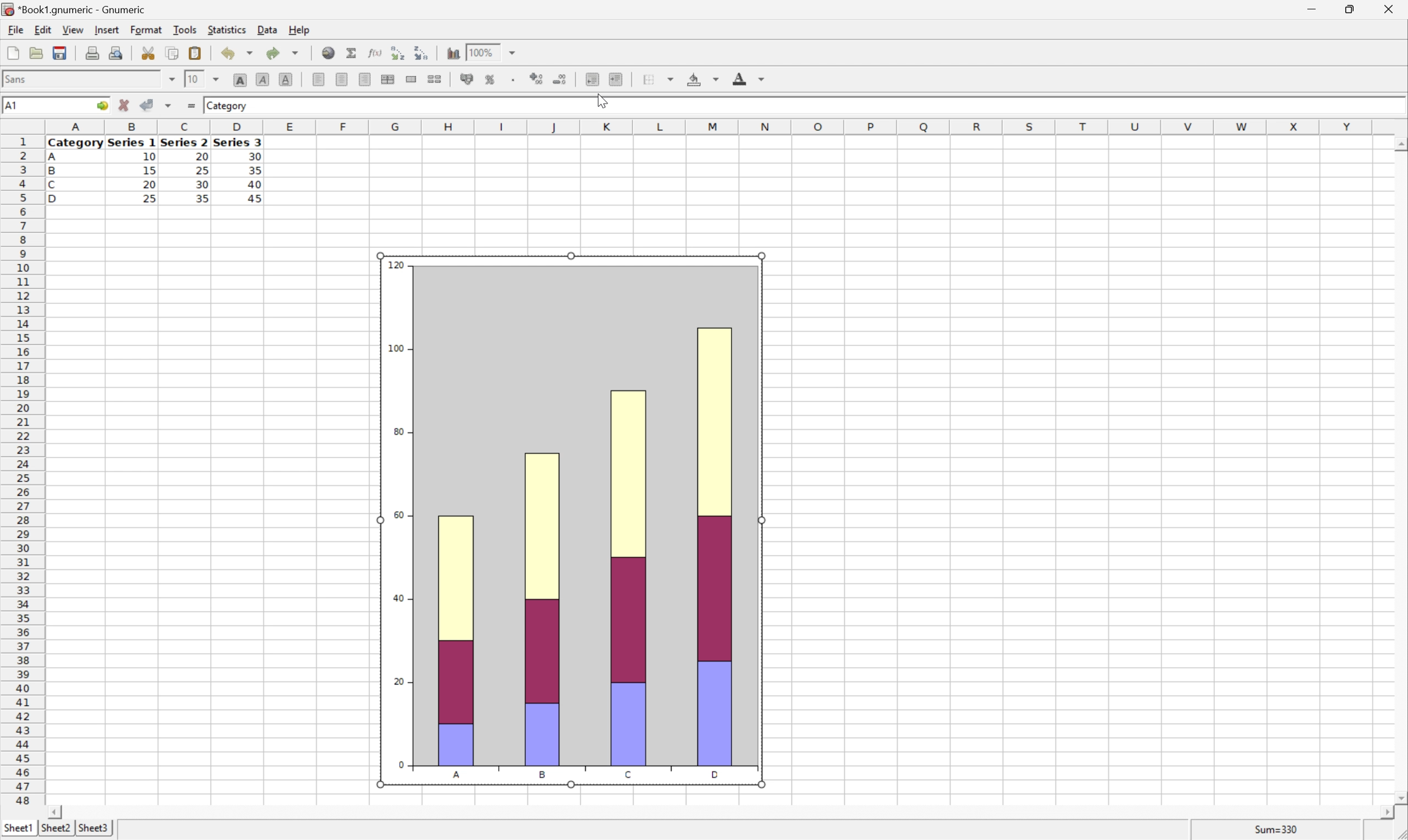  I want to click on B, so click(52, 172).